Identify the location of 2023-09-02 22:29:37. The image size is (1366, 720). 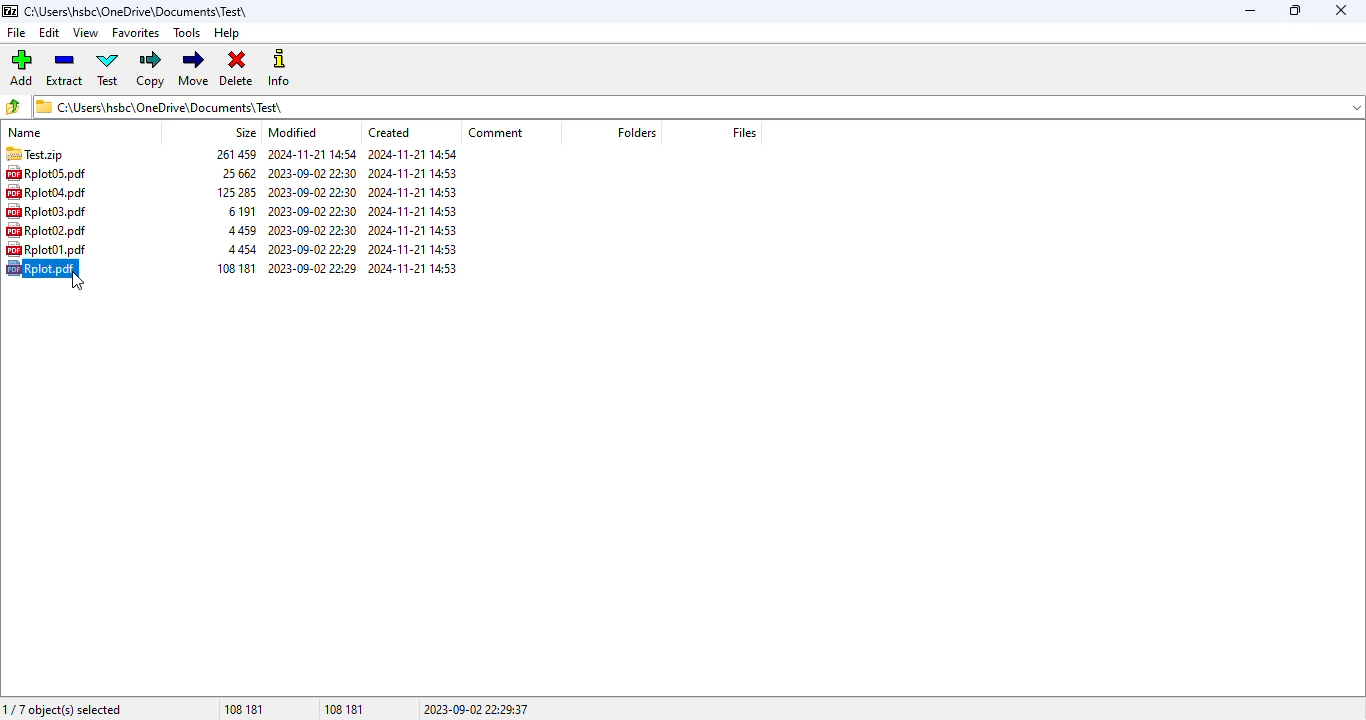
(477, 708).